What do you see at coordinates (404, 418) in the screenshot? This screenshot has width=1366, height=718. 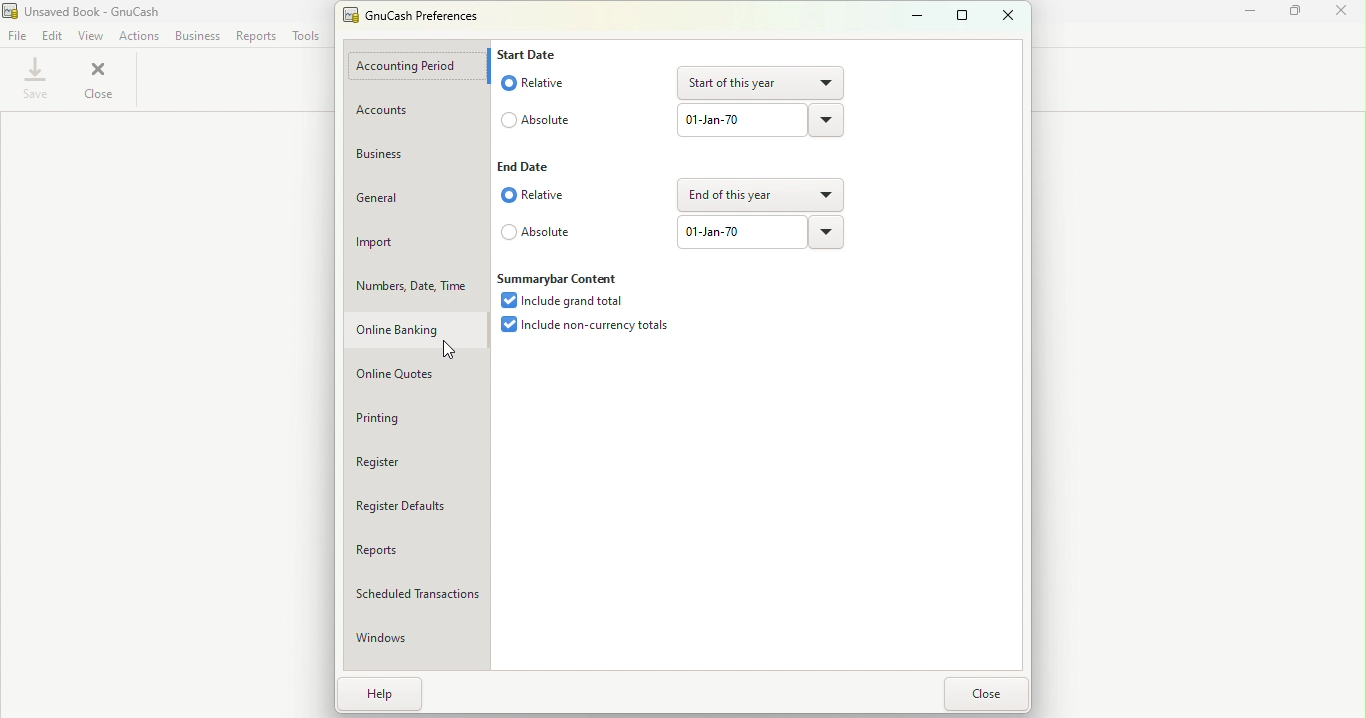 I see `Printing` at bounding box center [404, 418].